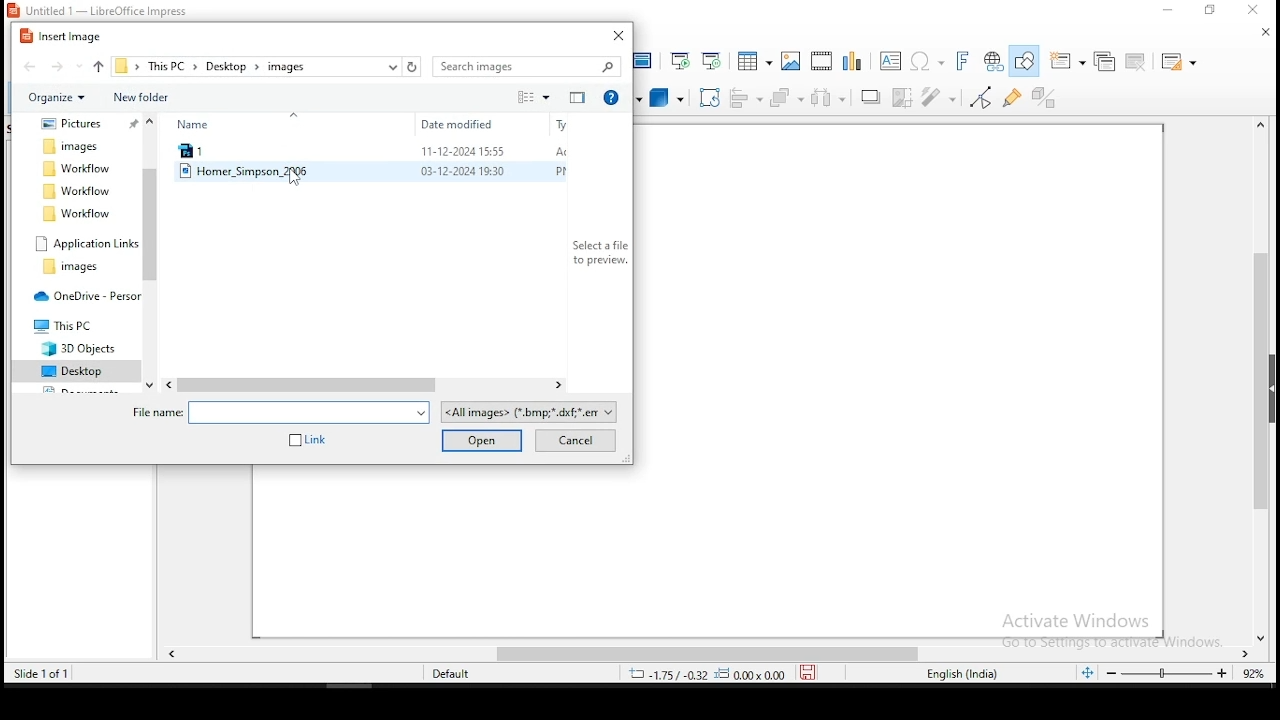 Image resolution: width=1280 pixels, height=720 pixels. I want to click on recent locations, so click(394, 66).